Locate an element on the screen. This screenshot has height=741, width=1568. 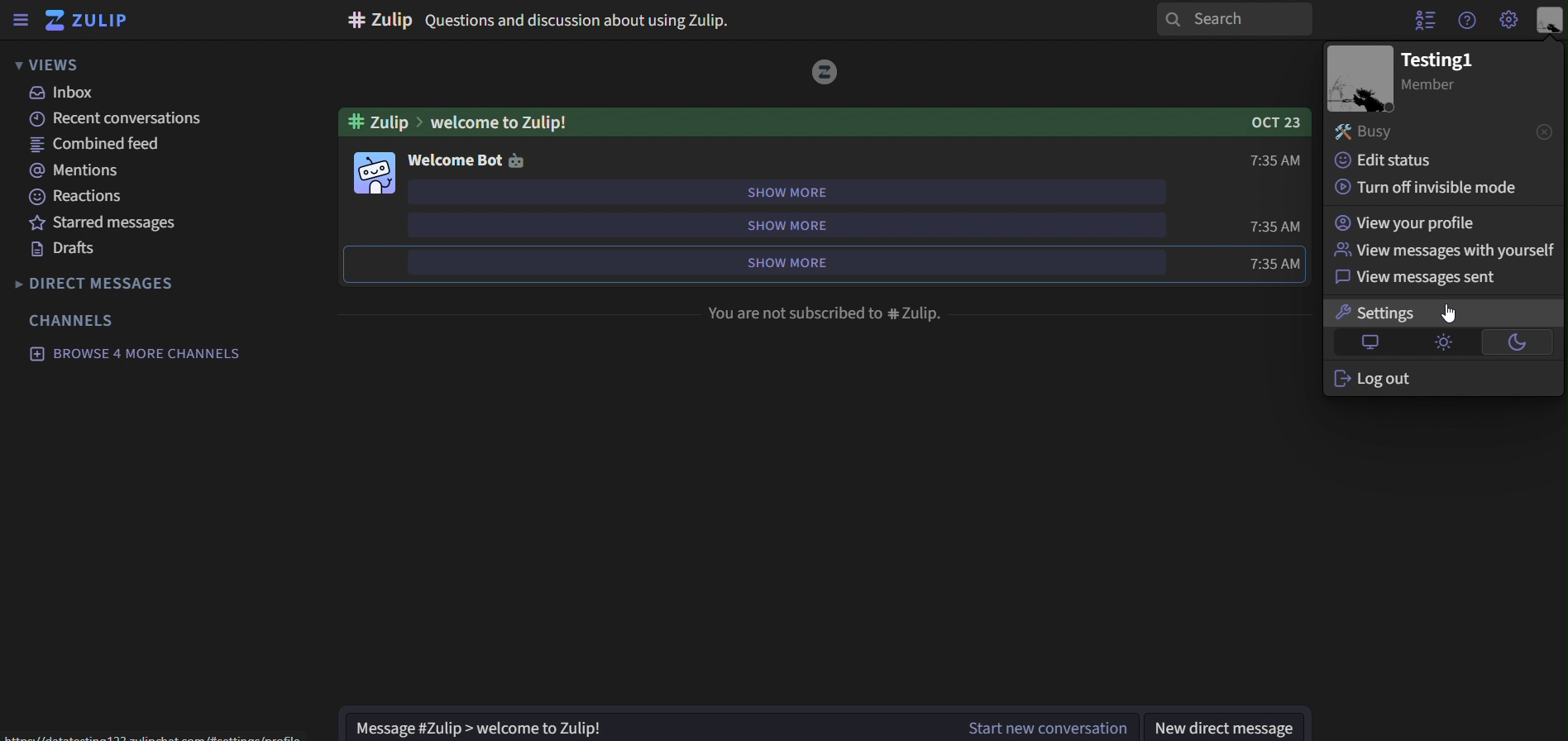
show more is located at coordinates (784, 224).